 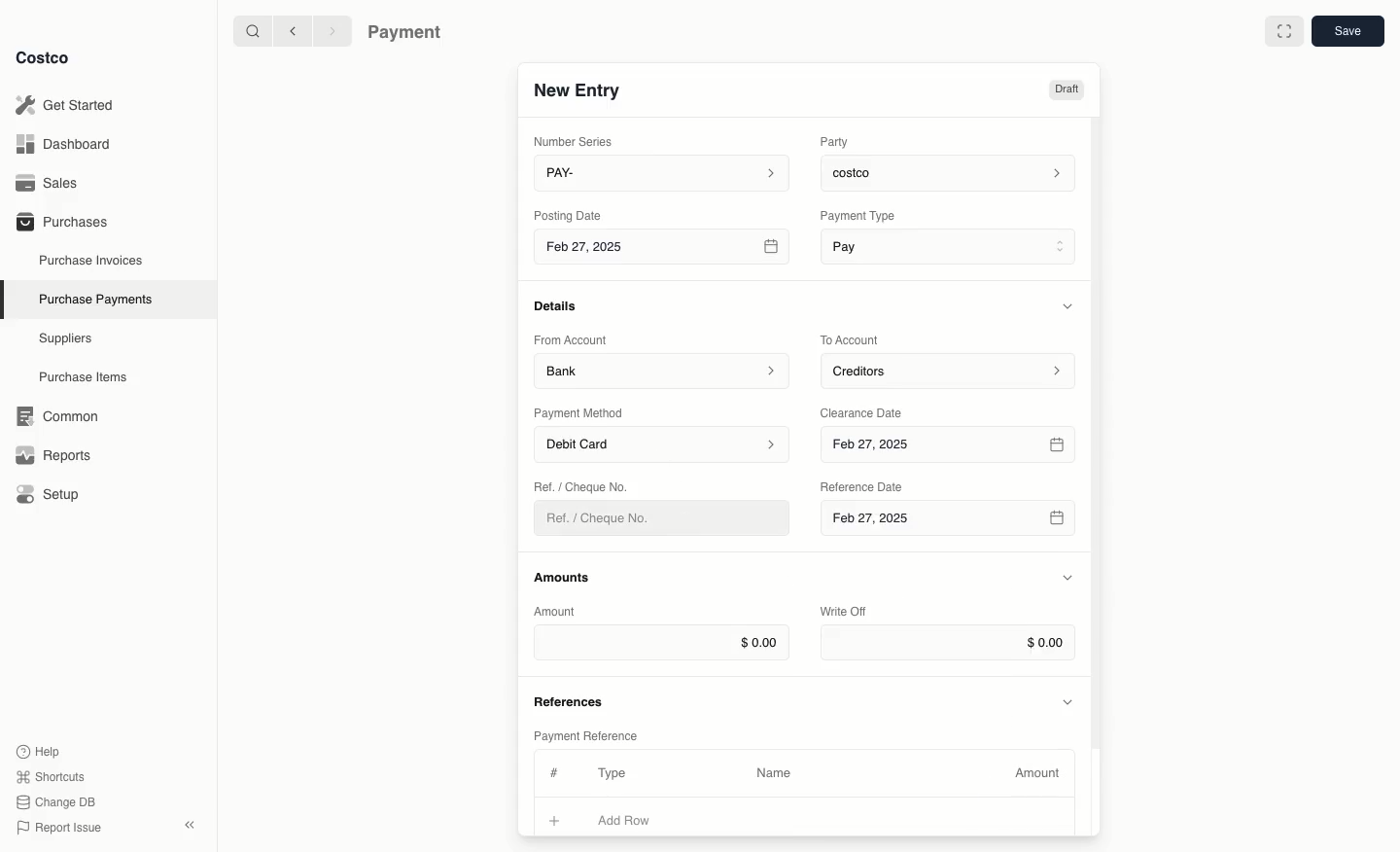 I want to click on Purchase Payments, so click(x=94, y=298).